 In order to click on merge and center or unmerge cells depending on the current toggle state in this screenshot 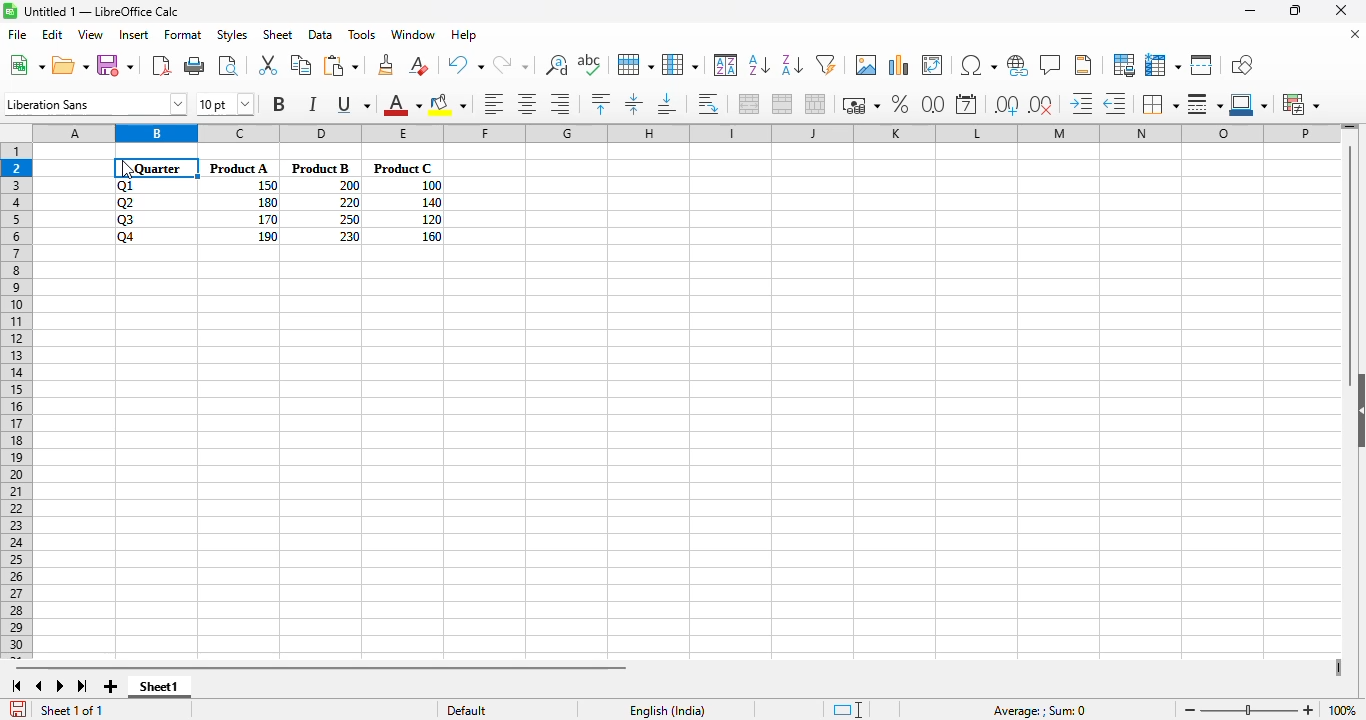, I will do `click(750, 104)`.